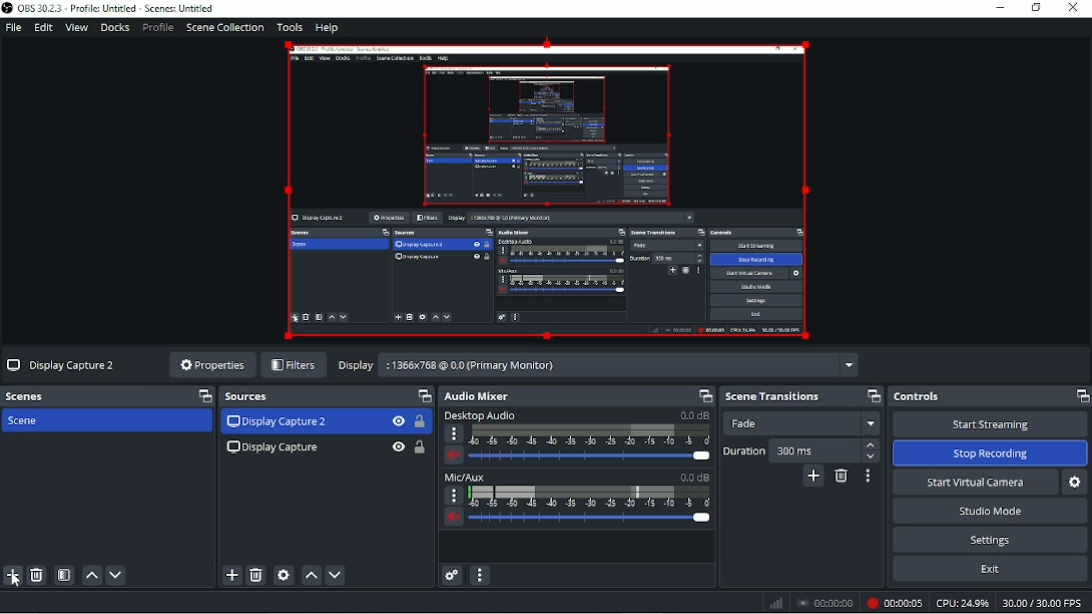  I want to click on 00:00:00, so click(824, 604).